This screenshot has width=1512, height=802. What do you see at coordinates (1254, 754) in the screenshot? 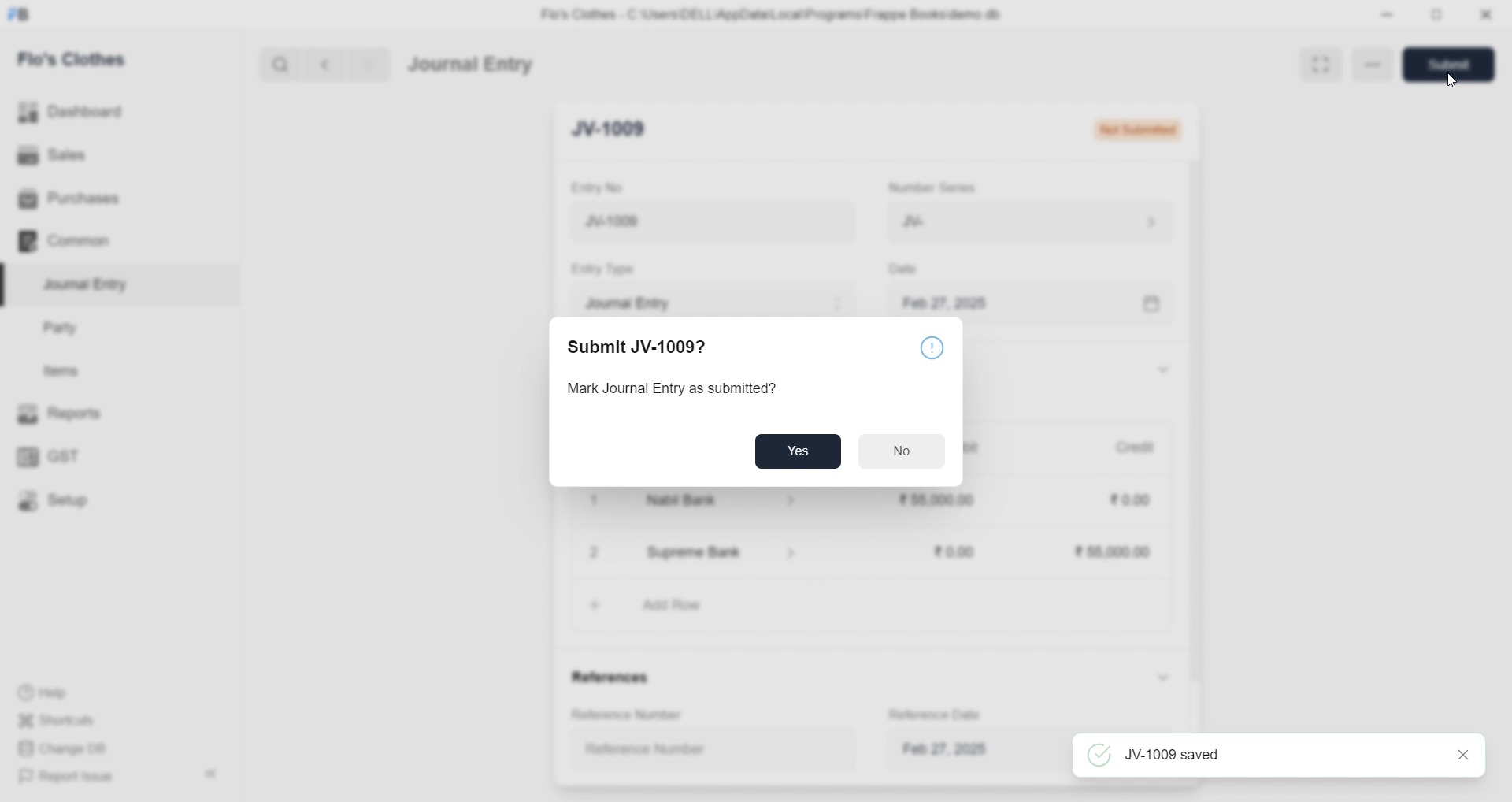
I see `JV-1009 saved` at bounding box center [1254, 754].